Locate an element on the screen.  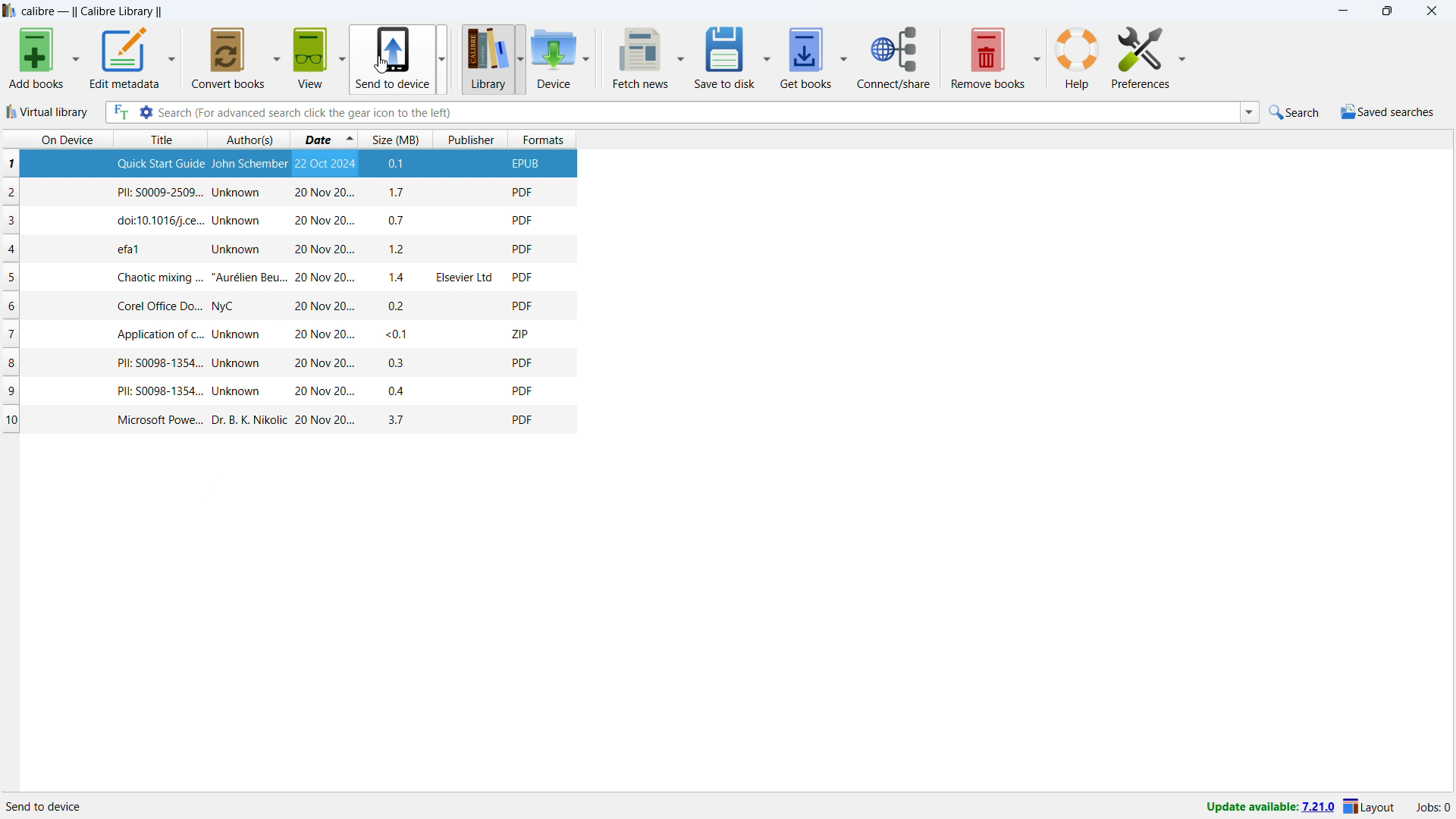
fetch news options is located at coordinates (682, 56).